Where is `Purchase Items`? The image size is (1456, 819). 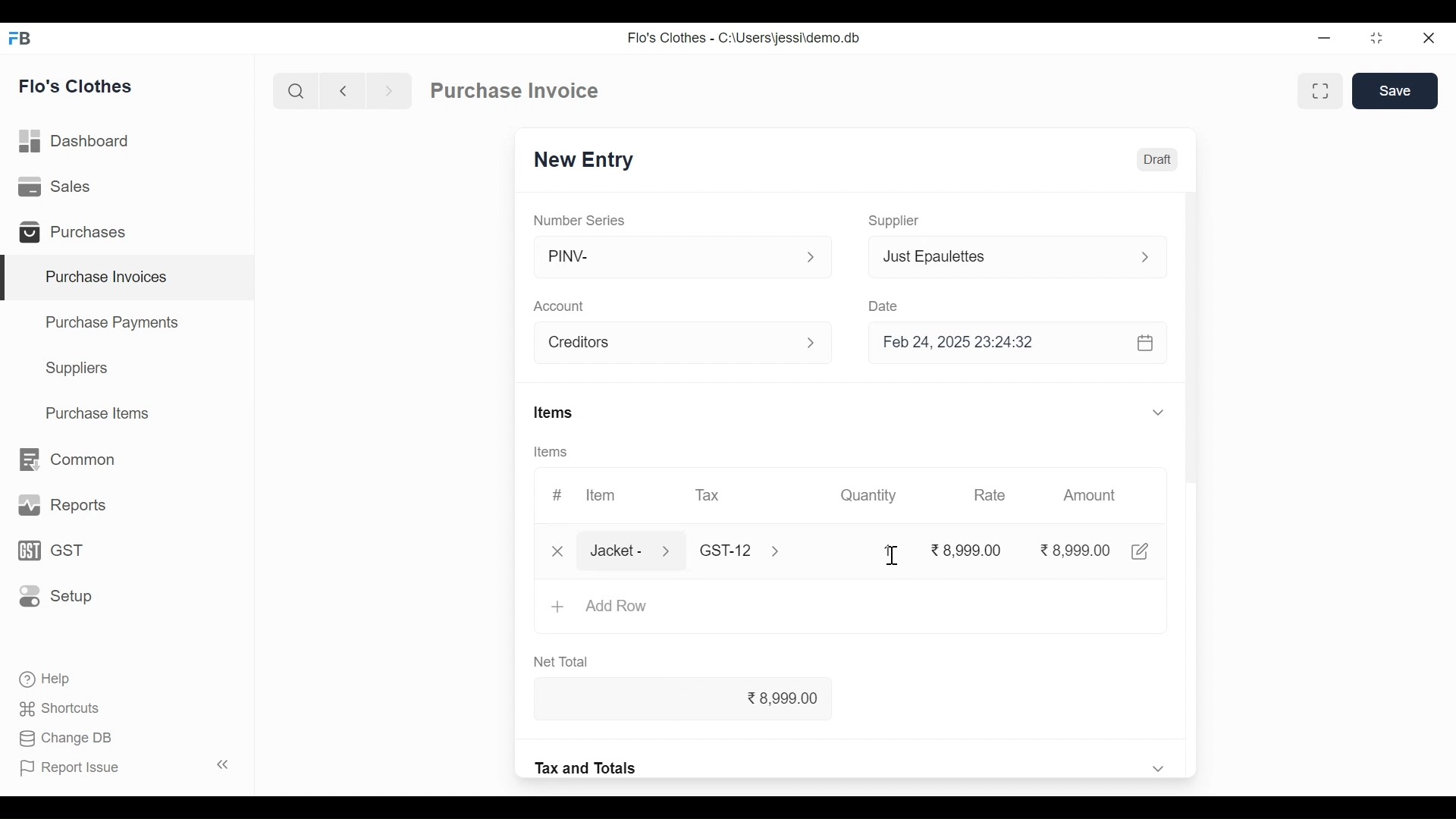 Purchase Items is located at coordinates (101, 413).